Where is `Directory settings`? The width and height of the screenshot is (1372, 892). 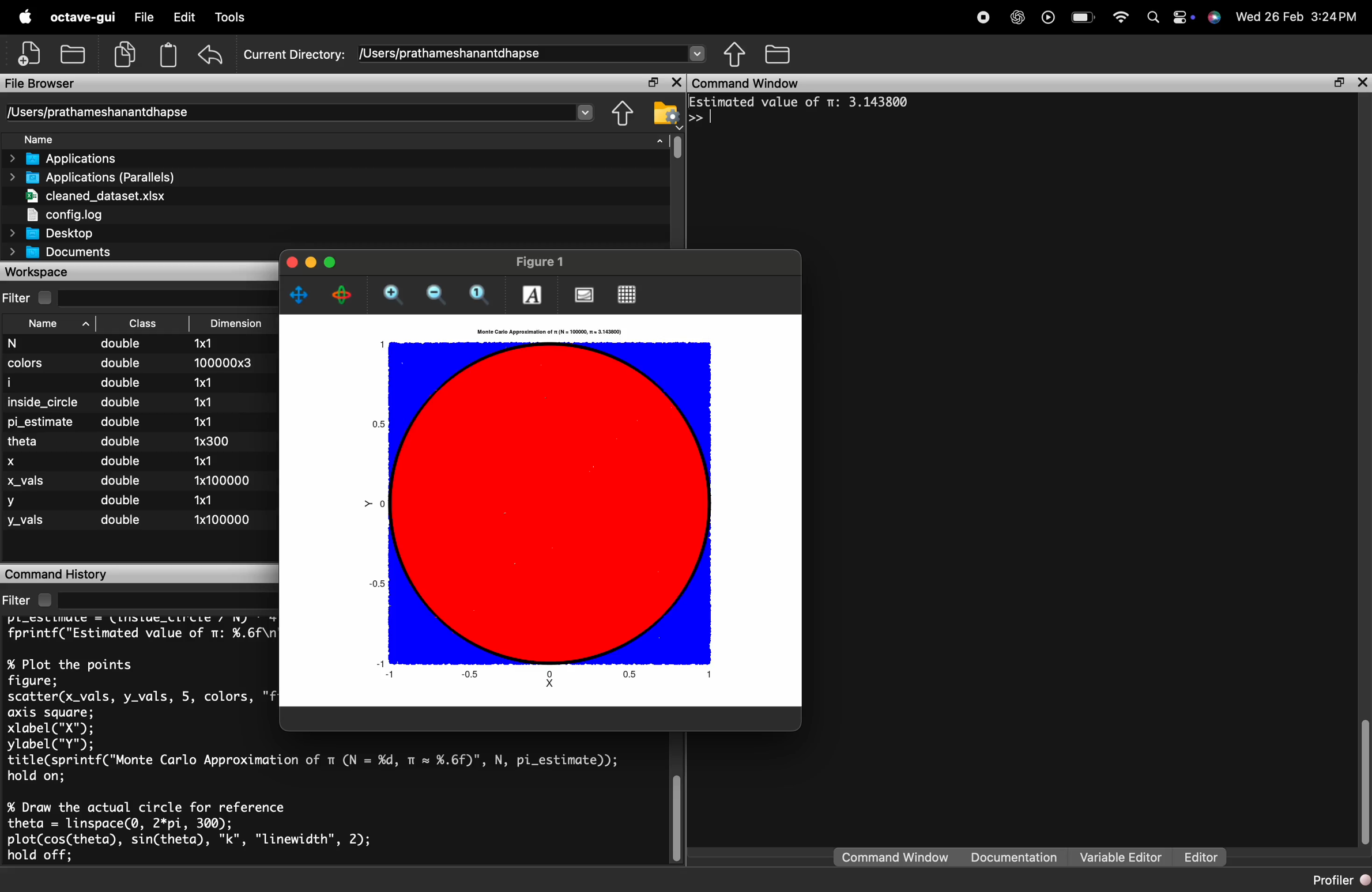
Directory settings is located at coordinates (666, 112).